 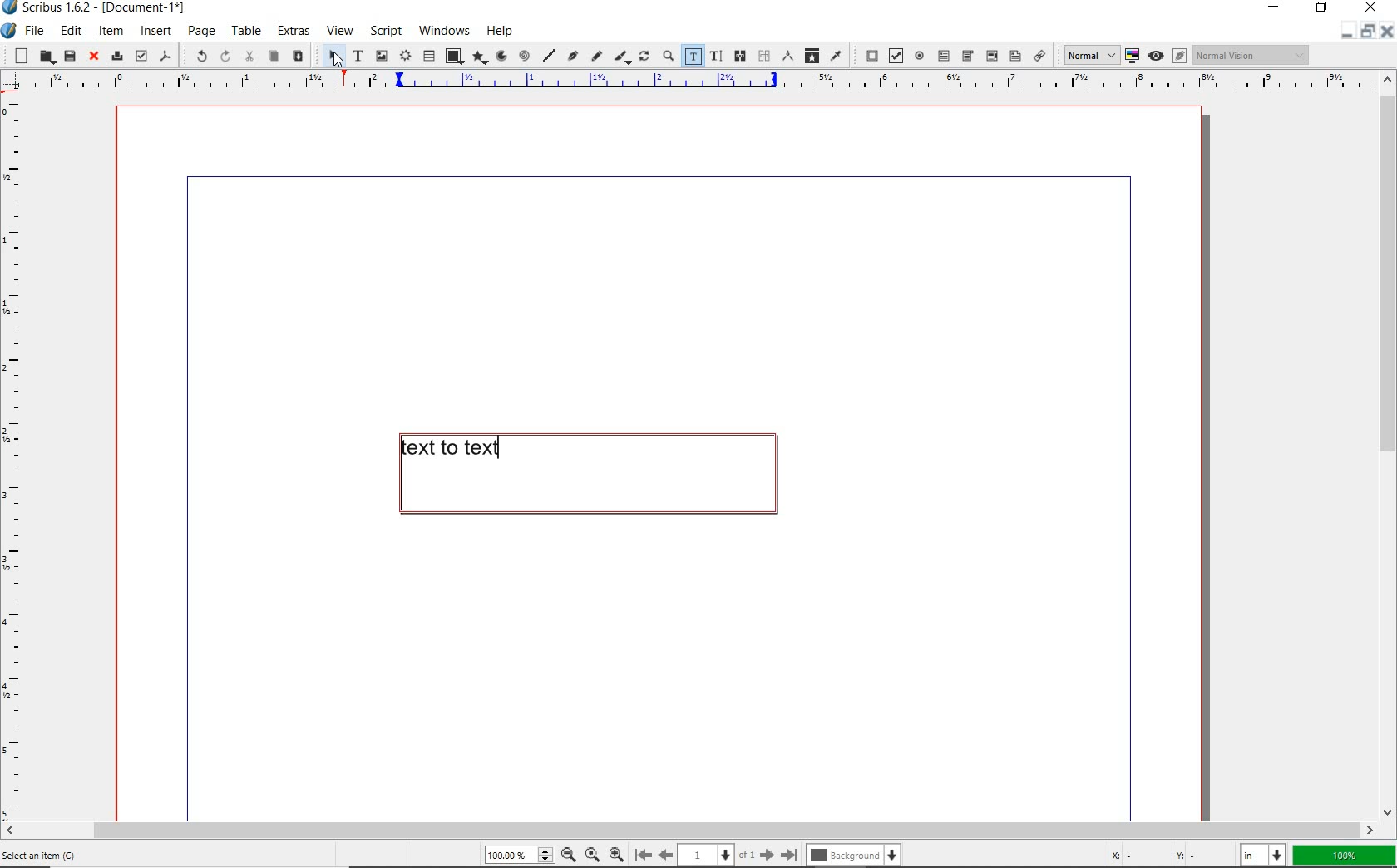 I want to click on Bezier curve, so click(x=572, y=57).